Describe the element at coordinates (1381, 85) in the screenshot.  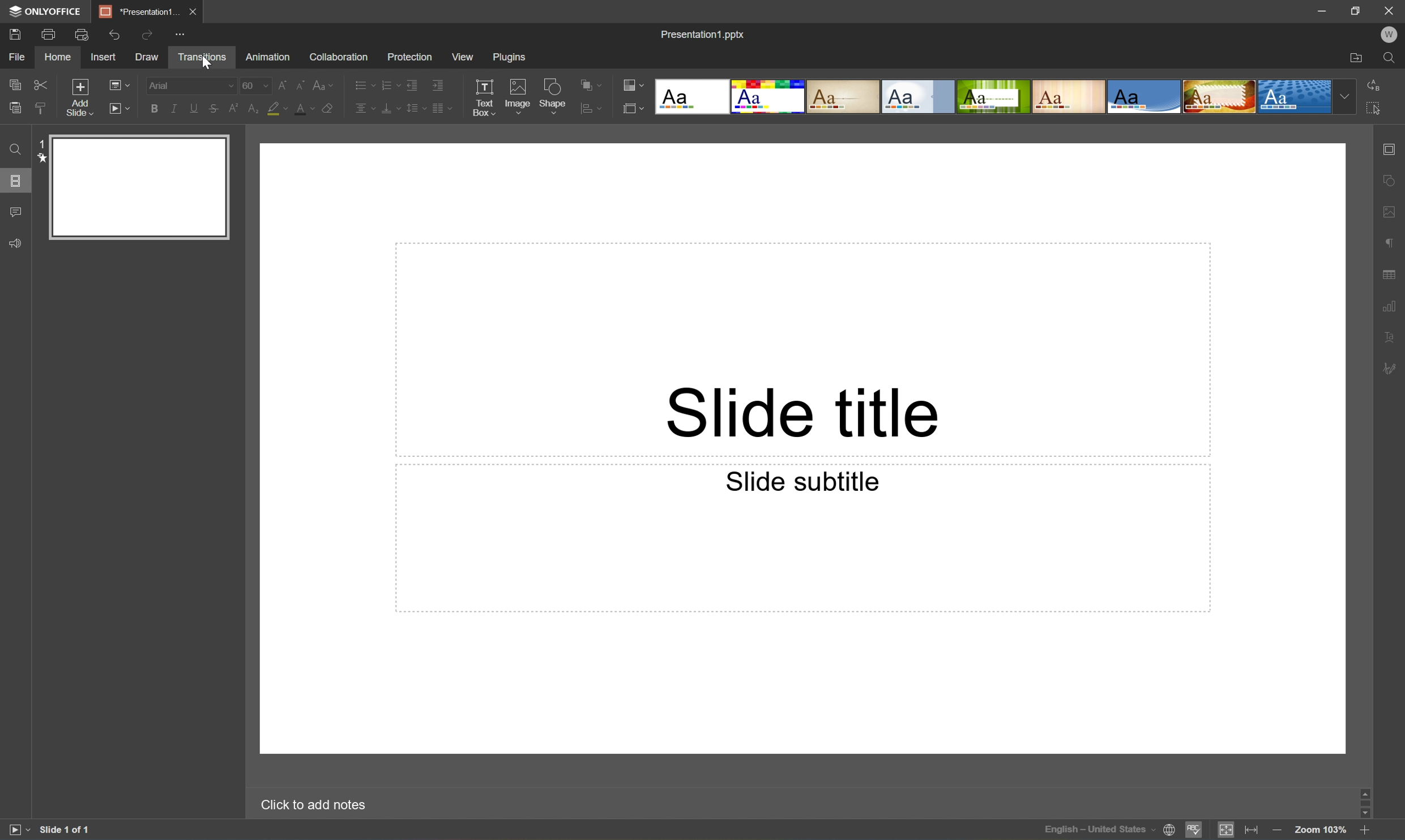
I see `Replace` at that location.